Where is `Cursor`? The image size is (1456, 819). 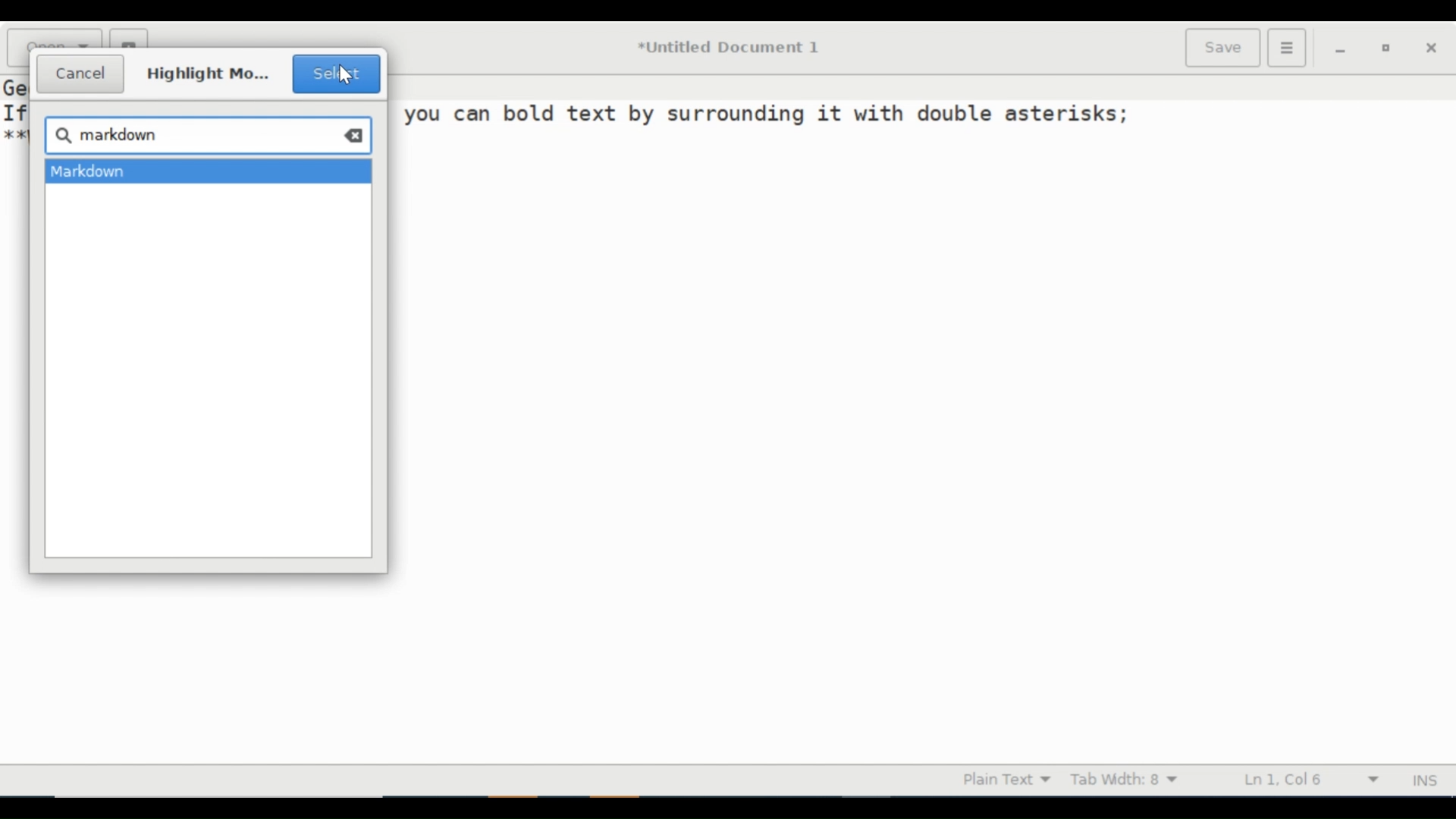 Cursor is located at coordinates (345, 77).